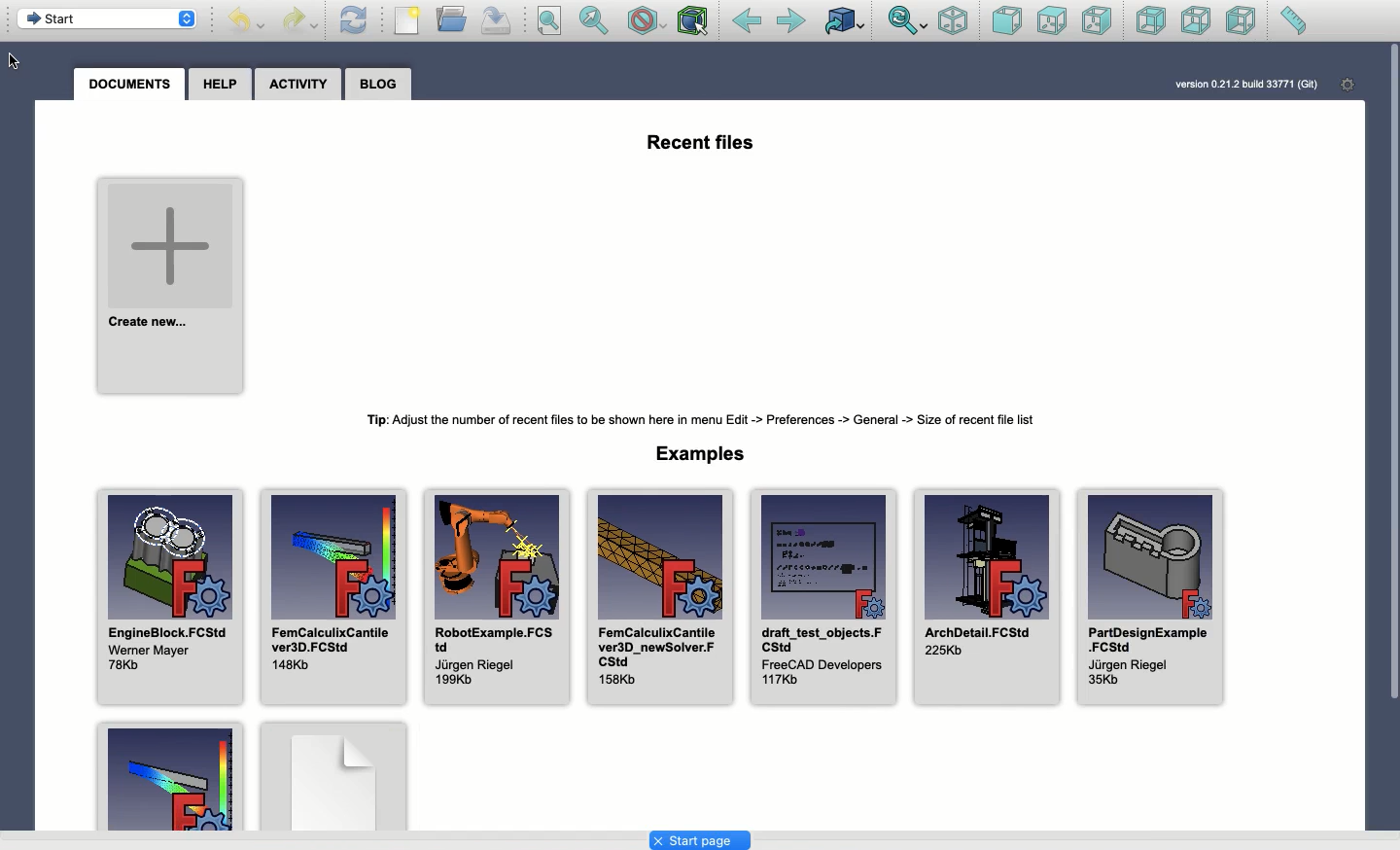 The width and height of the screenshot is (1400, 850). Describe the element at coordinates (692, 20) in the screenshot. I see `Bounding box` at that location.